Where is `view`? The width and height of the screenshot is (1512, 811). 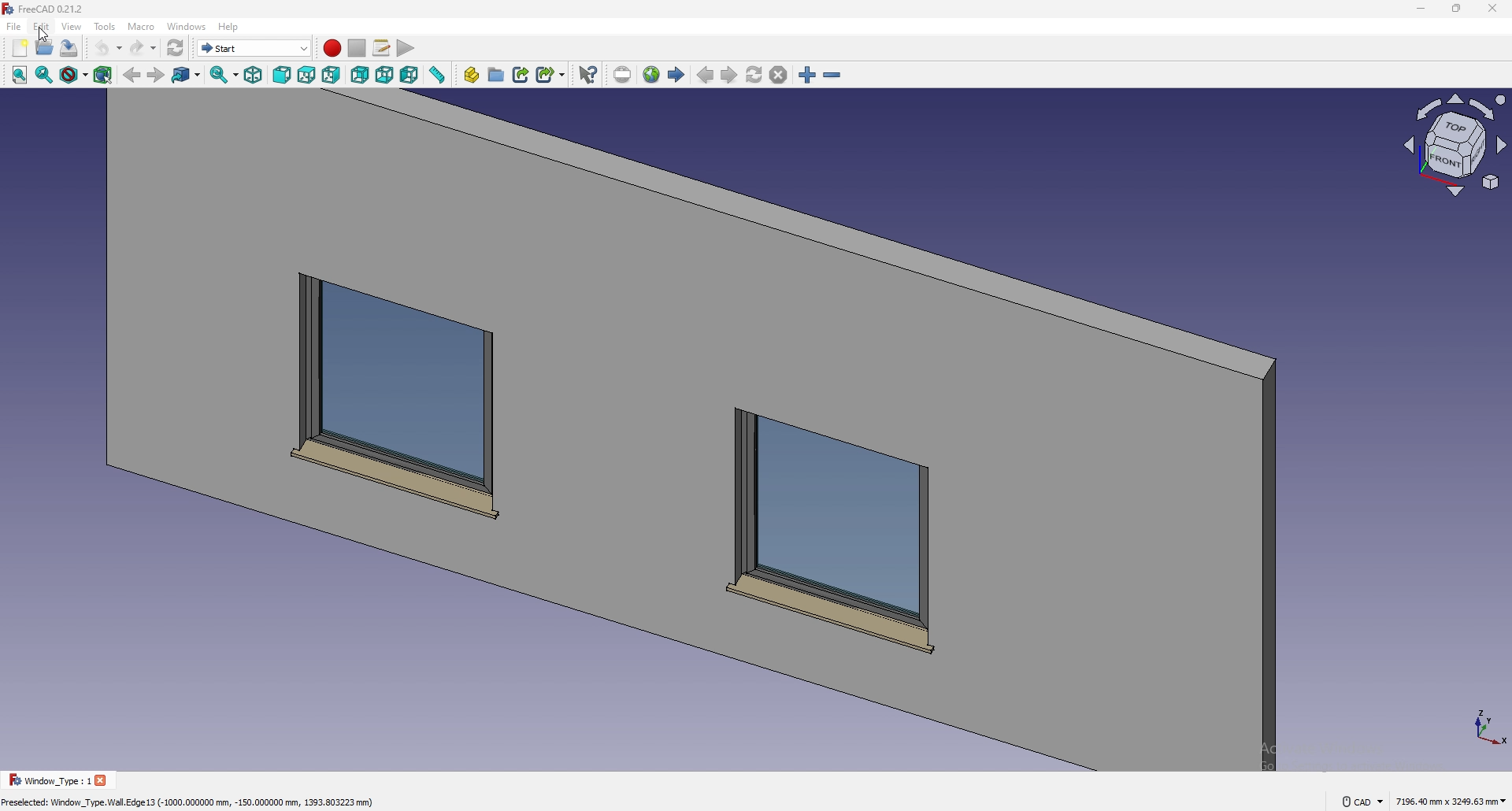 view is located at coordinates (72, 26).